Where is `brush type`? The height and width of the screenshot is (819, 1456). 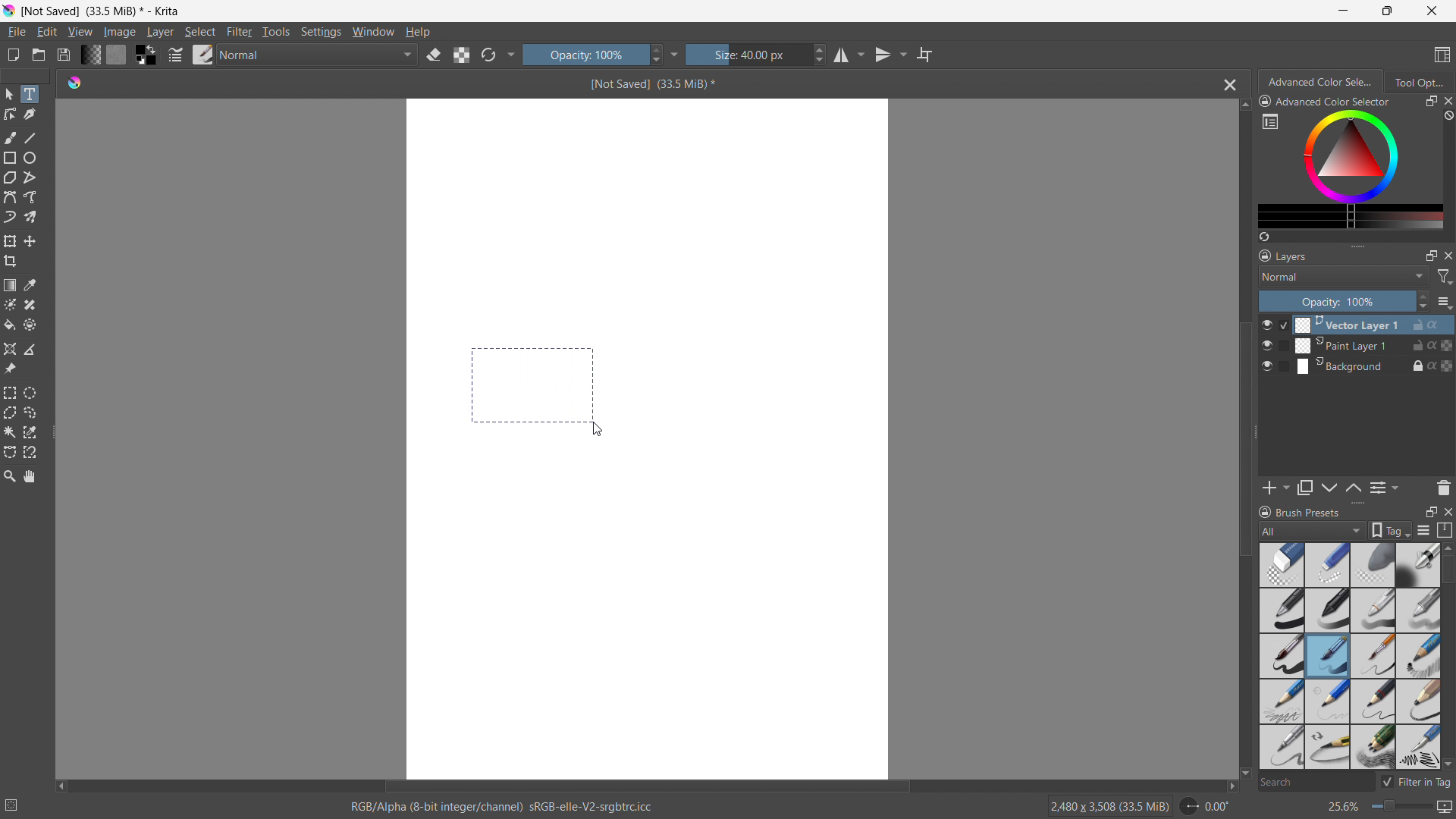 brush type is located at coordinates (1313, 530).